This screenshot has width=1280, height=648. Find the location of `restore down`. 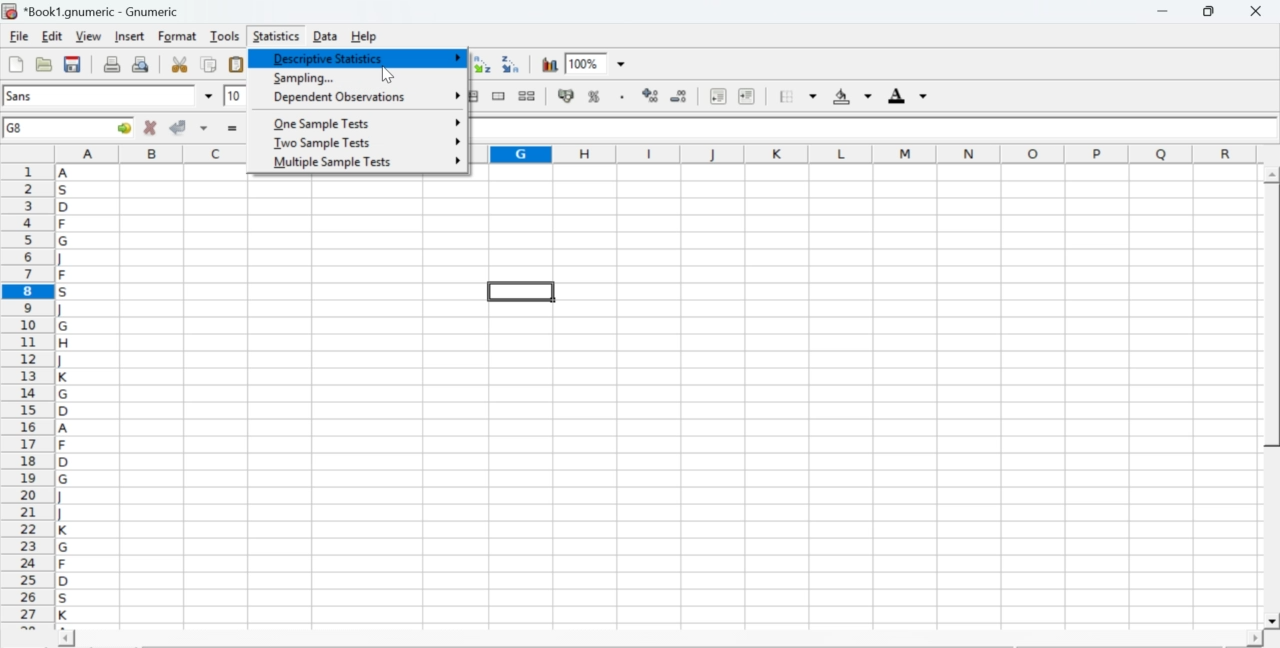

restore down is located at coordinates (1210, 12).